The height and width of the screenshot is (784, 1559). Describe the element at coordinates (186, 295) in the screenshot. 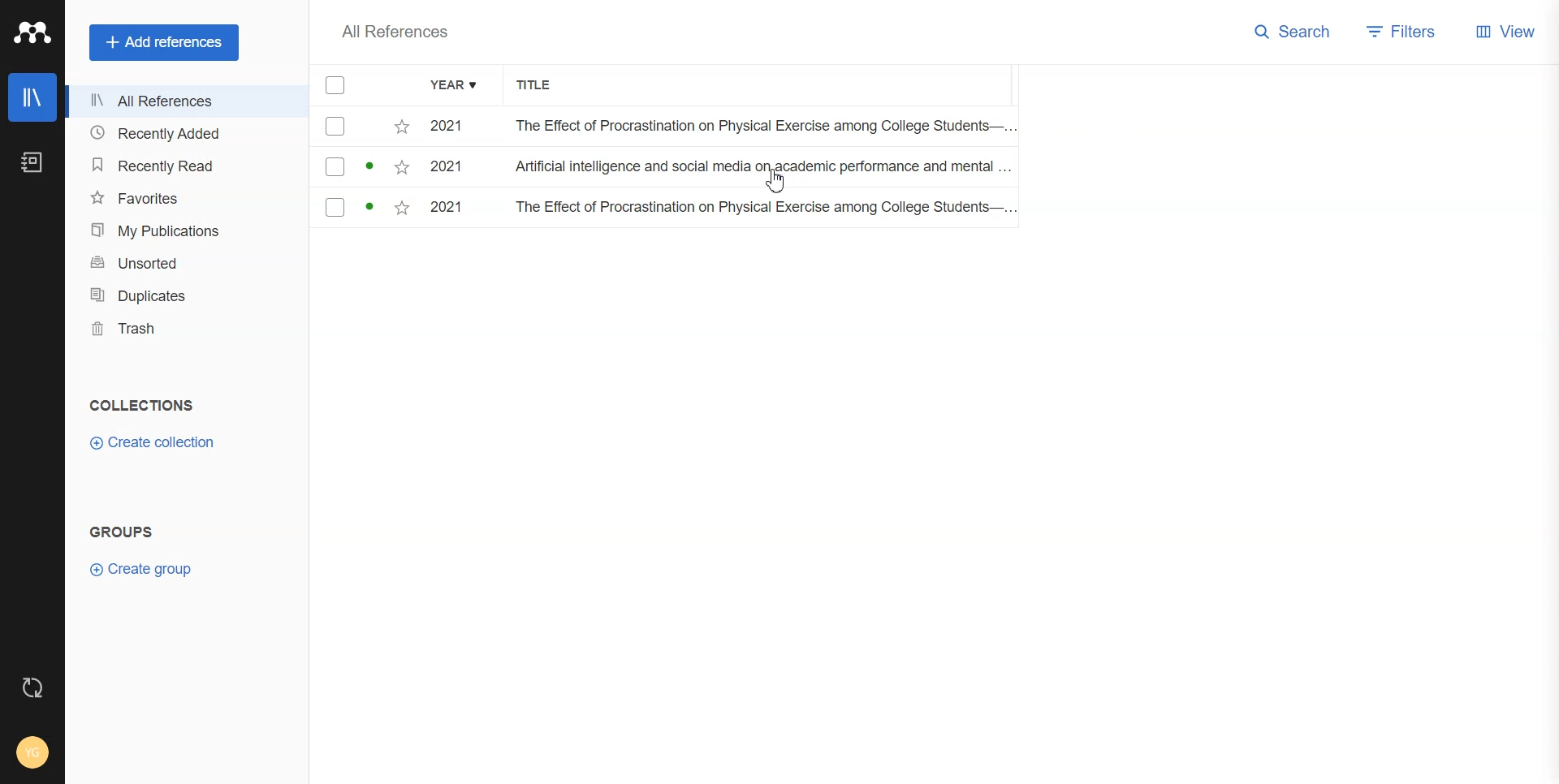

I see `Duplicates` at that location.